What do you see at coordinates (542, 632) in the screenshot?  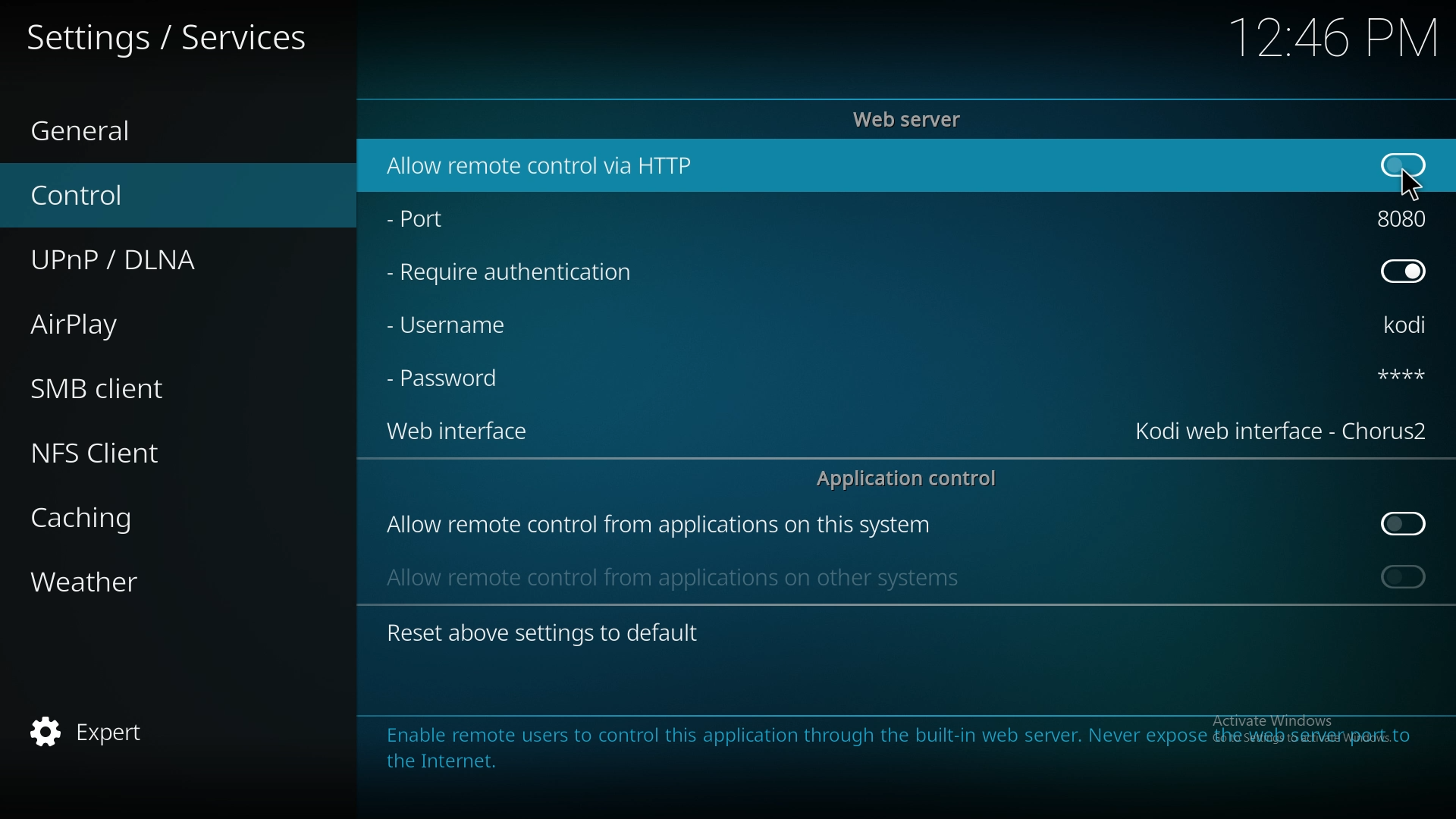 I see `reset above settings to default` at bounding box center [542, 632].